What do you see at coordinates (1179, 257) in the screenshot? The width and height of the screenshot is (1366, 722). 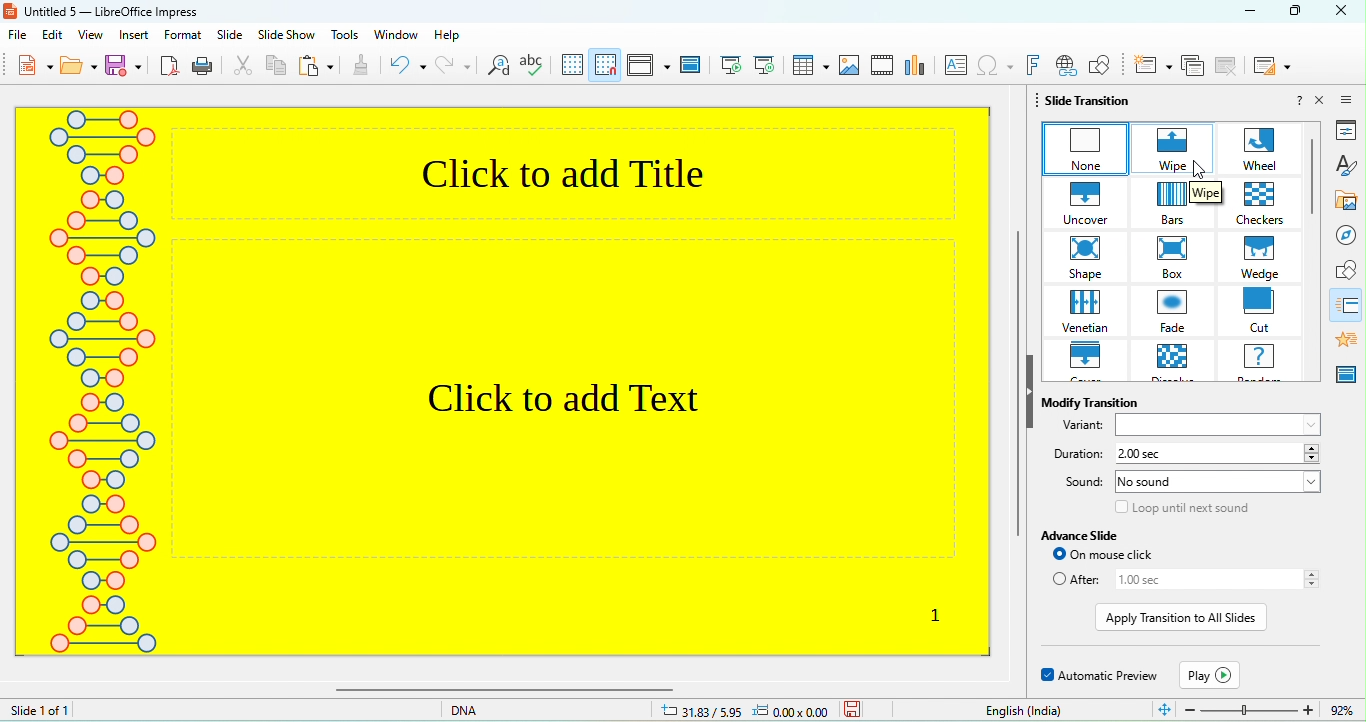 I see `box` at bounding box center [1179, 257].